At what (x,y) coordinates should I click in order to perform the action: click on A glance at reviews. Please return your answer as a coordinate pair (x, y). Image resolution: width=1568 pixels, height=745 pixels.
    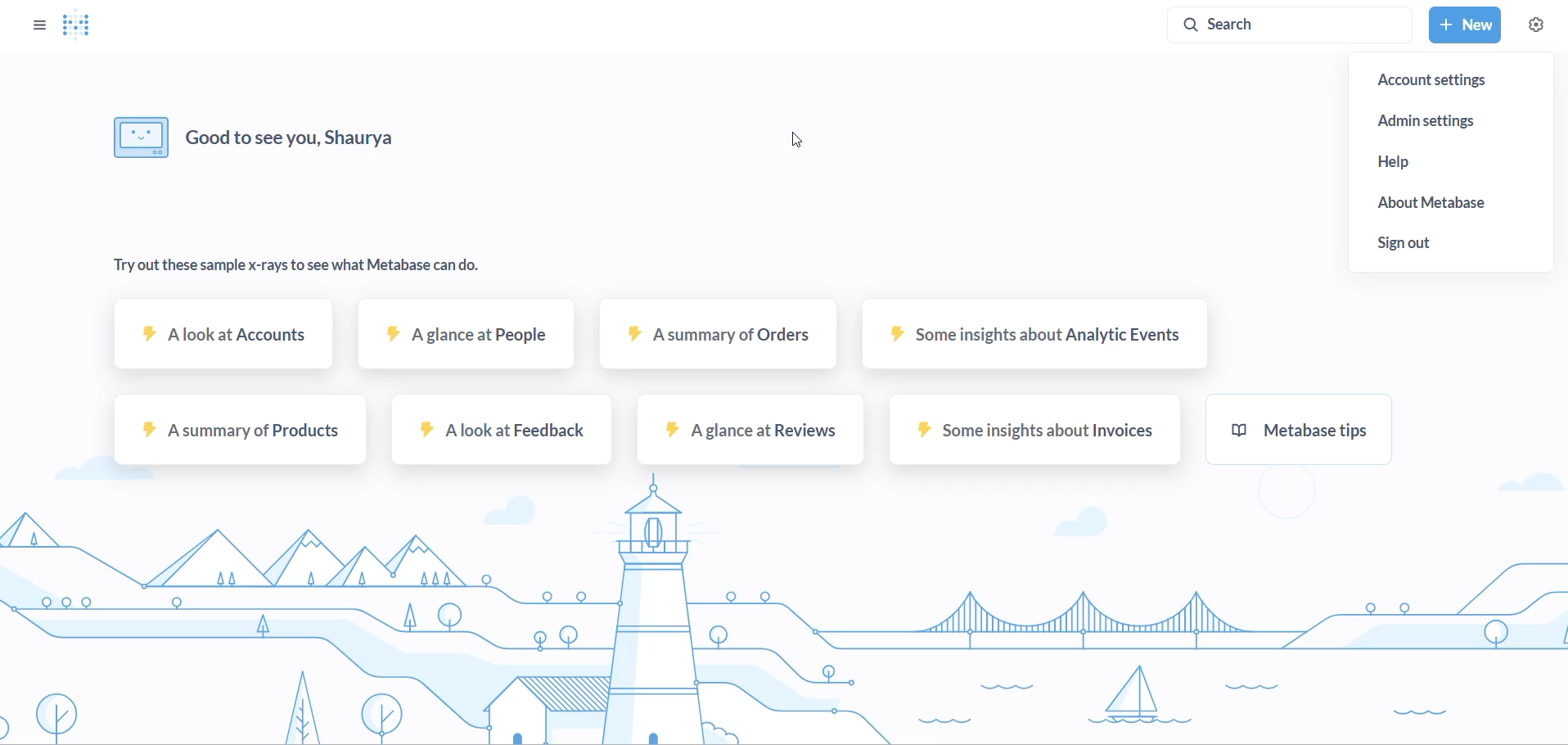
    Looking at the image, I should click on (746, 436).